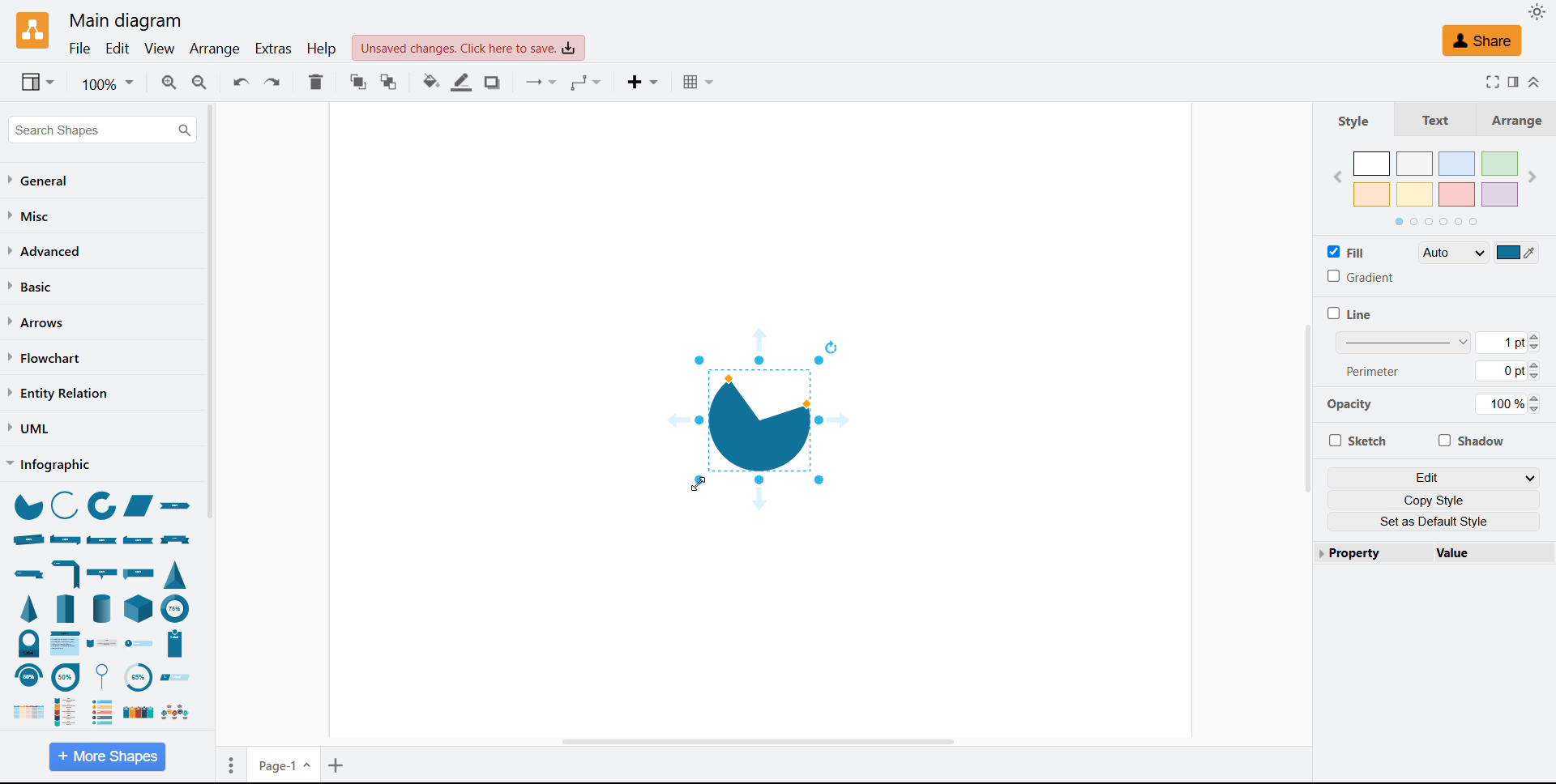 This screenshot has height=784, width=1556. Describe the element at coordinates (140, 607) in the screenshot. I see `cube` at that location.